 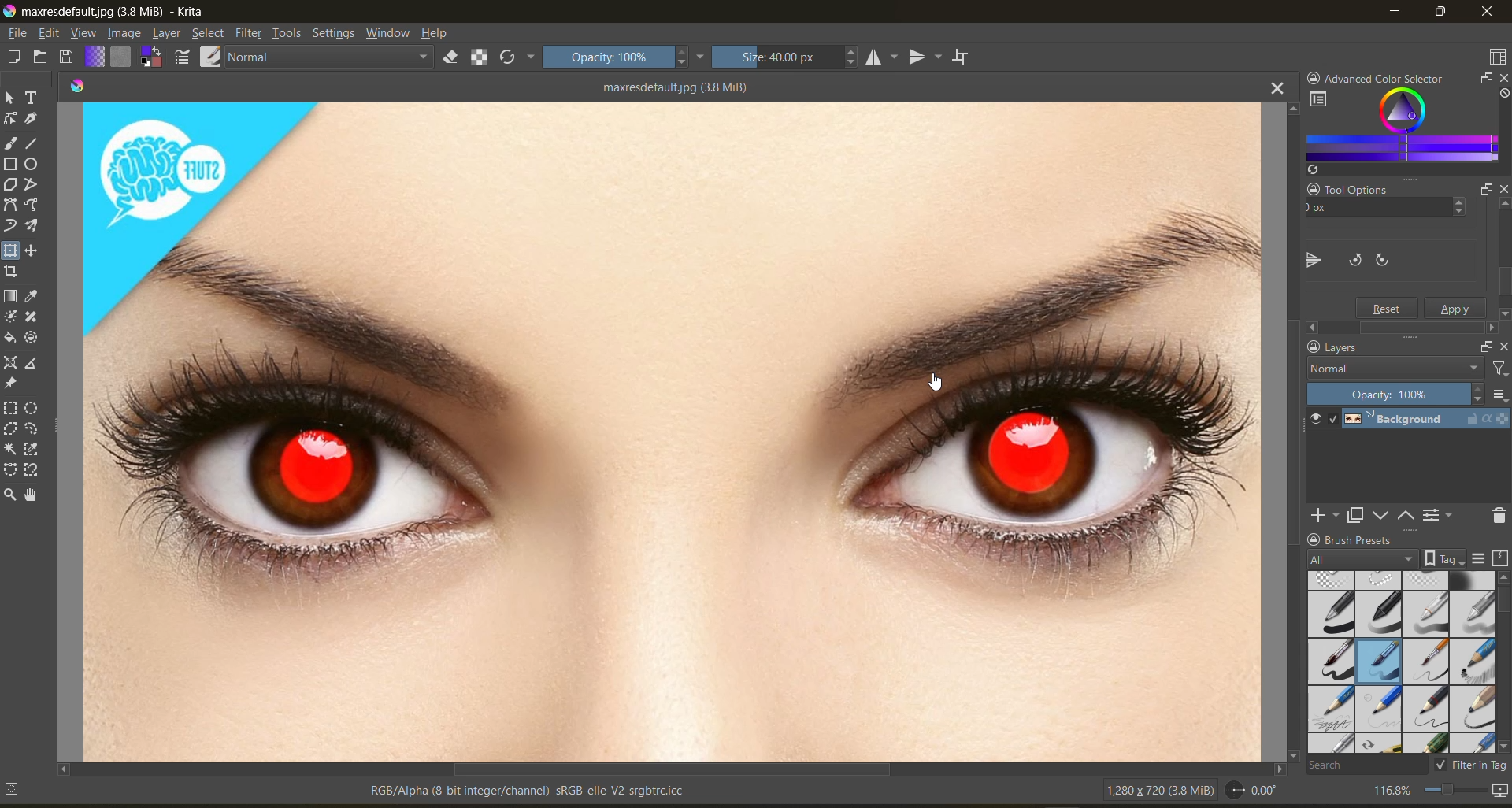 I want to click on tool, so click(x=31, y=120).